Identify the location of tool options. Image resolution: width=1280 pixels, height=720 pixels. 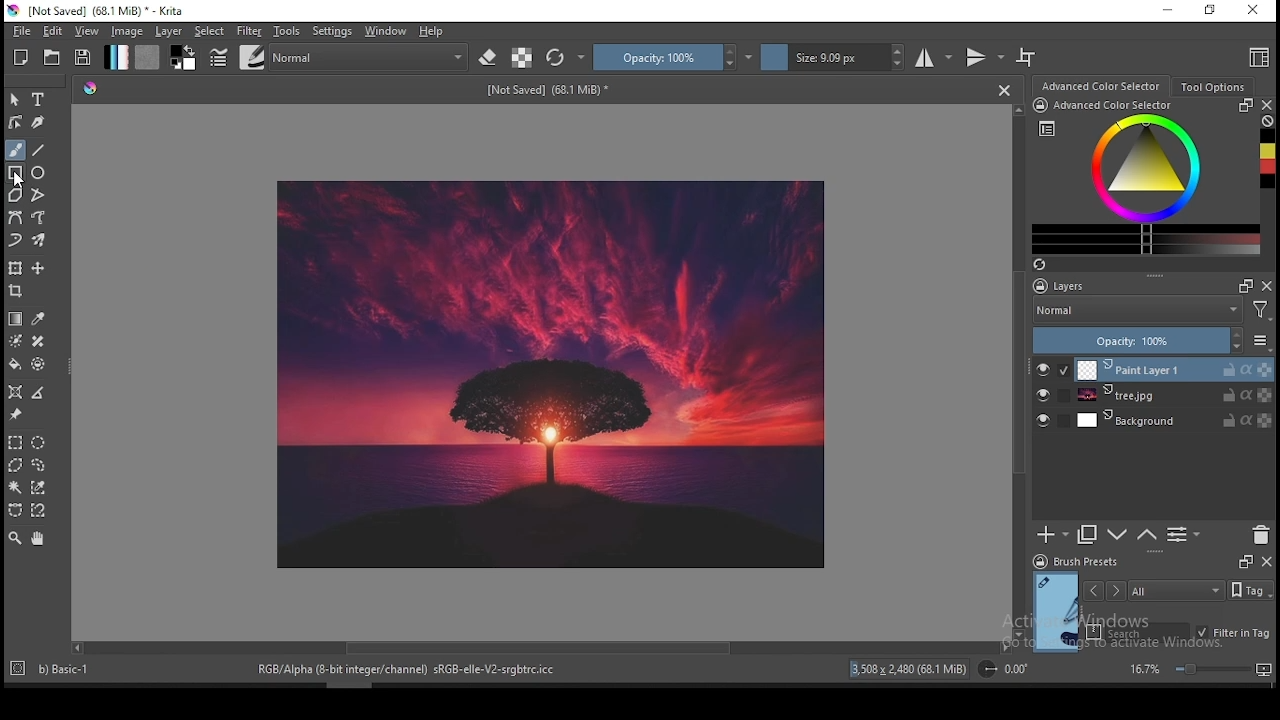
(1211, 86).